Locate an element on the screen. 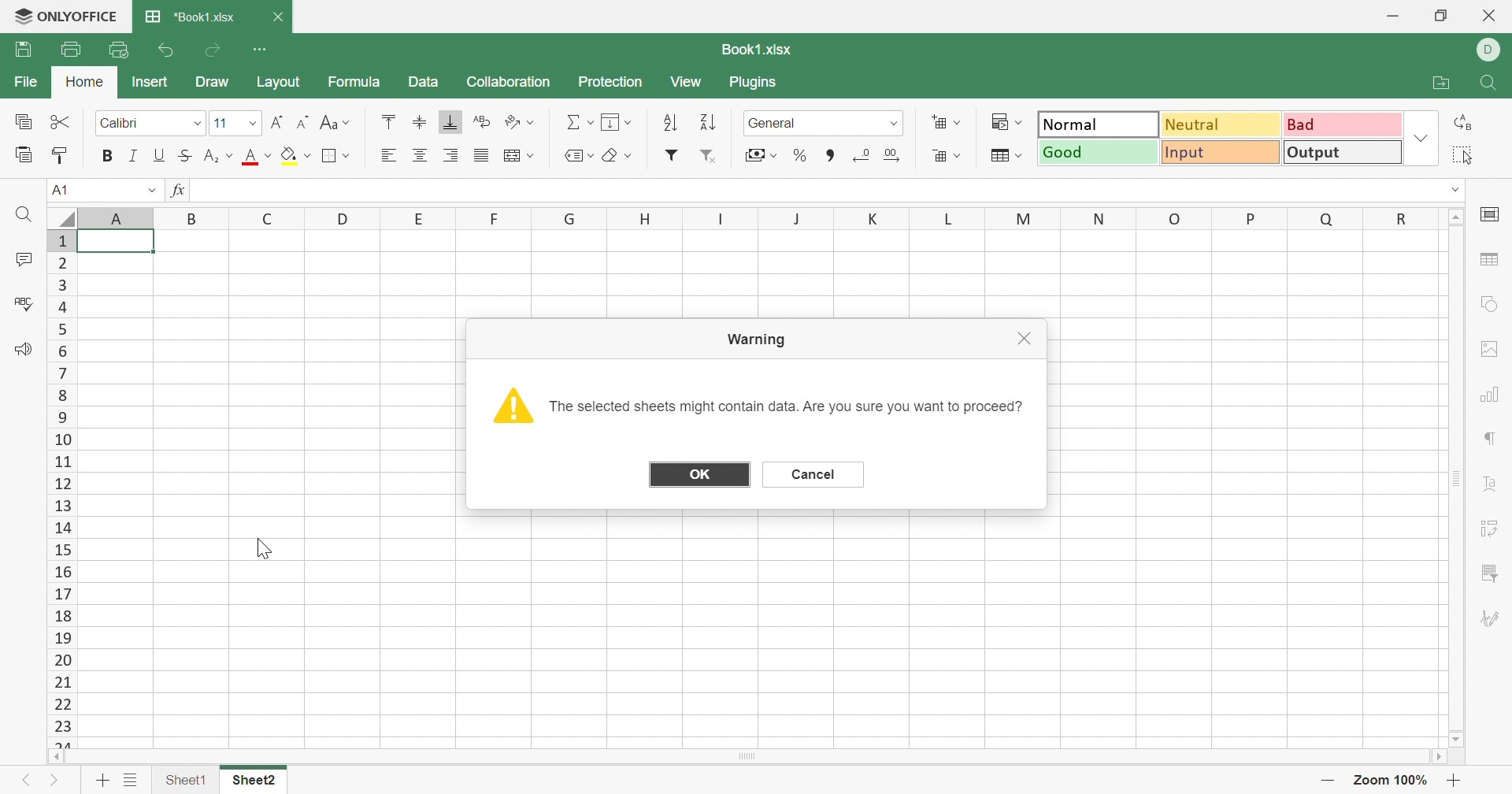 This screenshot has width=1512, height=794. Comma style is located at coordinates (831, 154).